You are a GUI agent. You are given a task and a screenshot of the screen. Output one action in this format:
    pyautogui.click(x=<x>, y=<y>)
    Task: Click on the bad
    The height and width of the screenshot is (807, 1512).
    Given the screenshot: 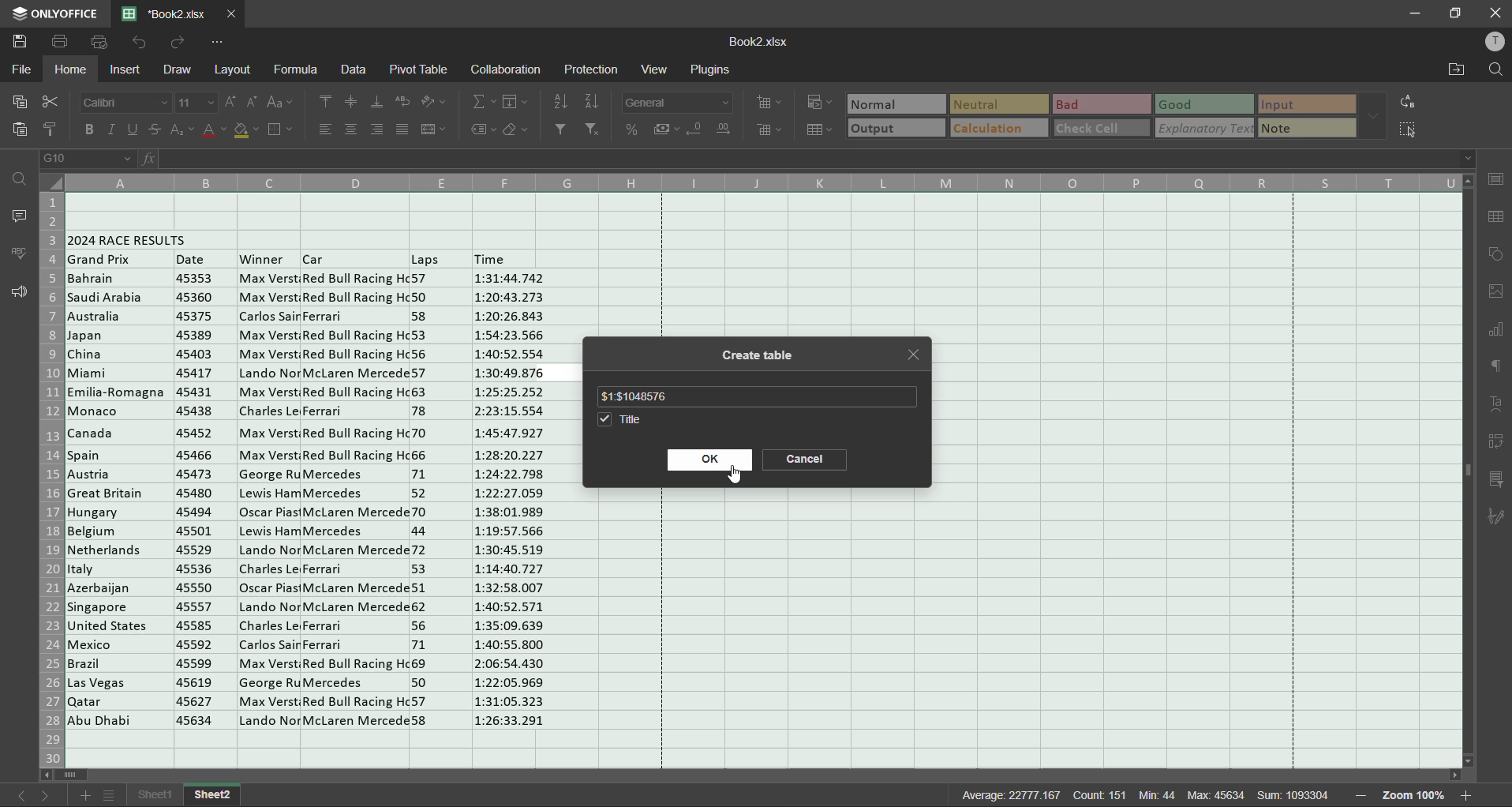 What is the action you would take?
    pyautogui.click(x=1102, y=104)
    